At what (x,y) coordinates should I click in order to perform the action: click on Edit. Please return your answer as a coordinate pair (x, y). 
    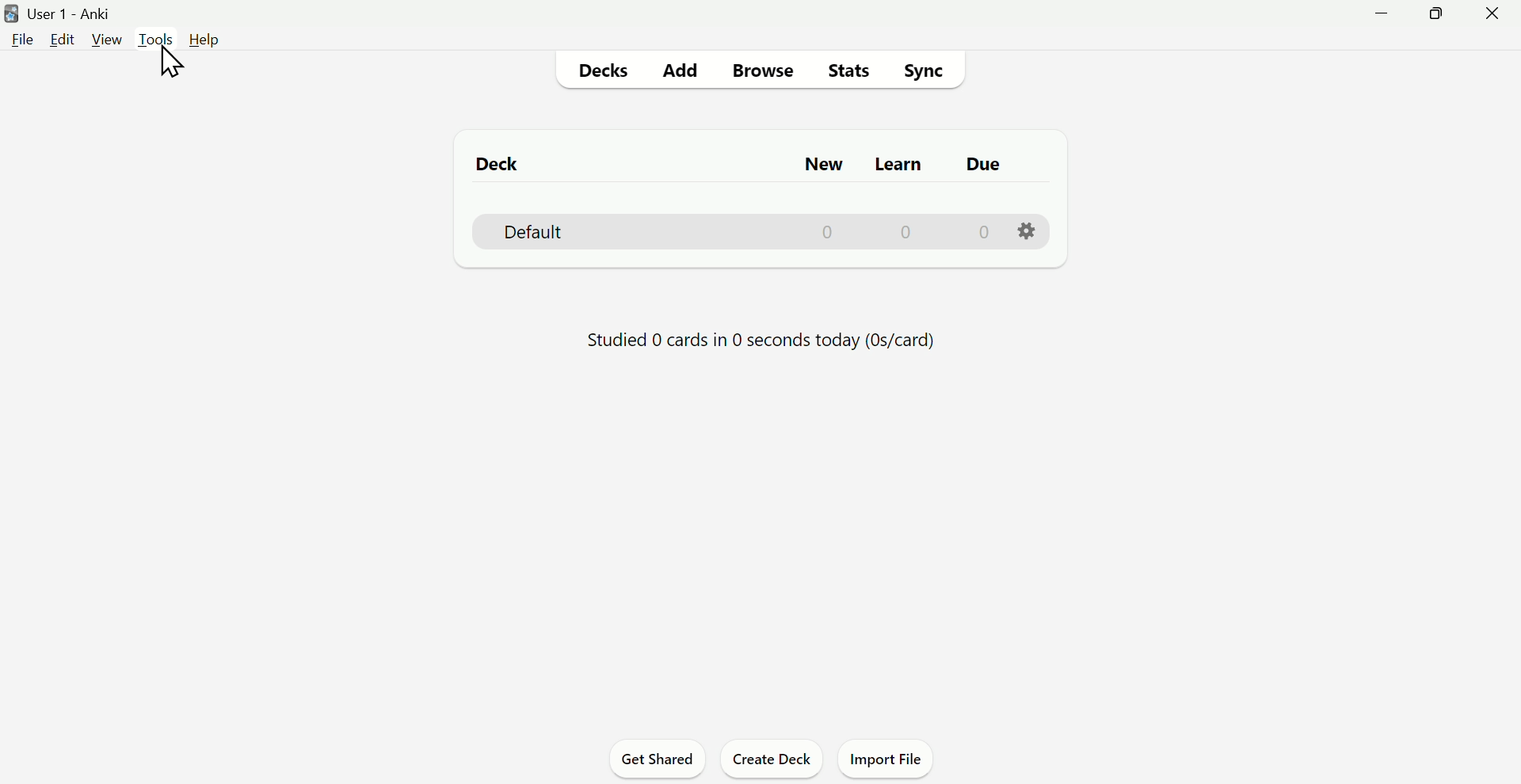
    Looking at the image, I should click on (61, 40).